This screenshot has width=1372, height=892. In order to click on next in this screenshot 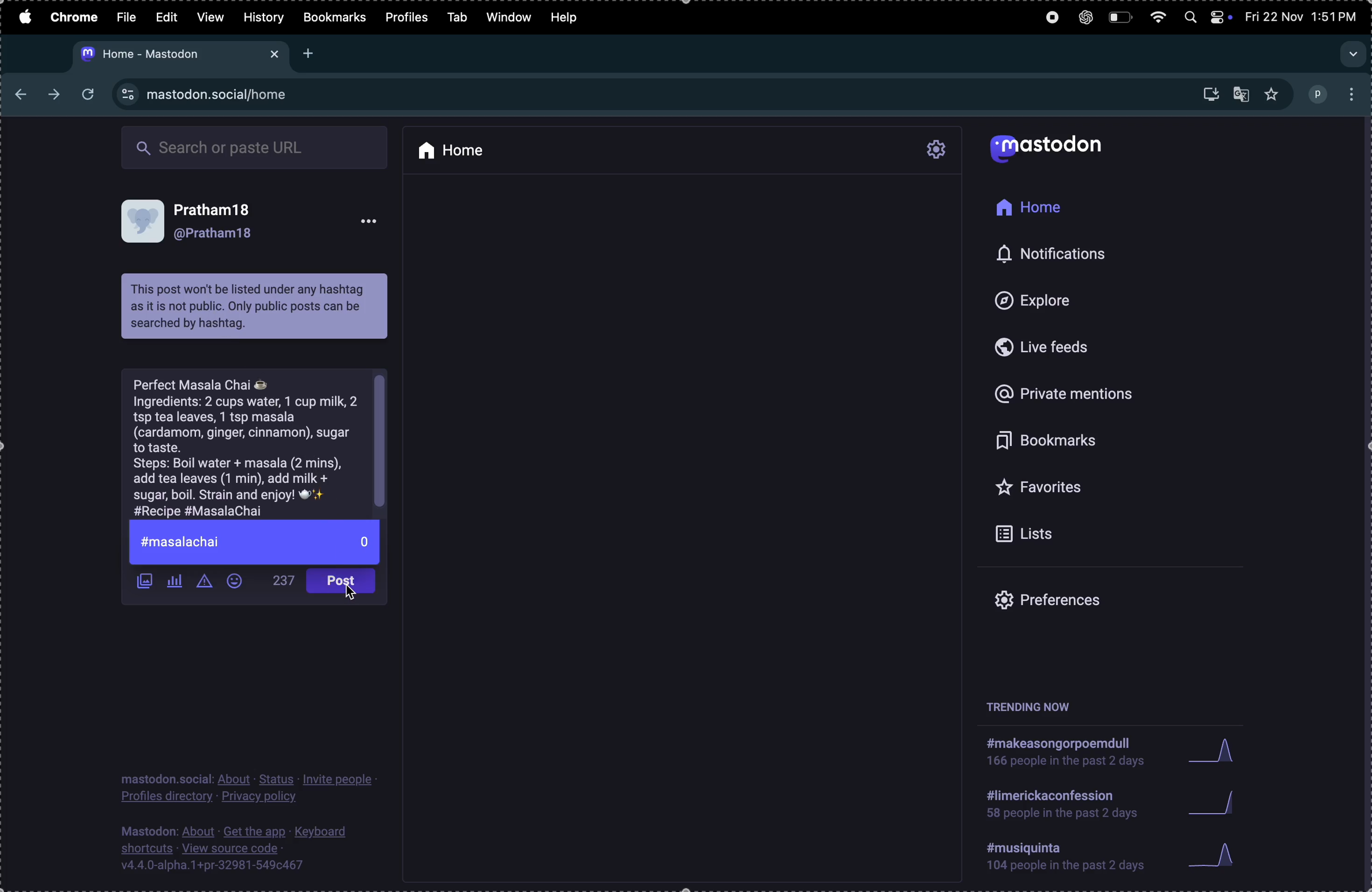, I will do `click(56, 96)`.